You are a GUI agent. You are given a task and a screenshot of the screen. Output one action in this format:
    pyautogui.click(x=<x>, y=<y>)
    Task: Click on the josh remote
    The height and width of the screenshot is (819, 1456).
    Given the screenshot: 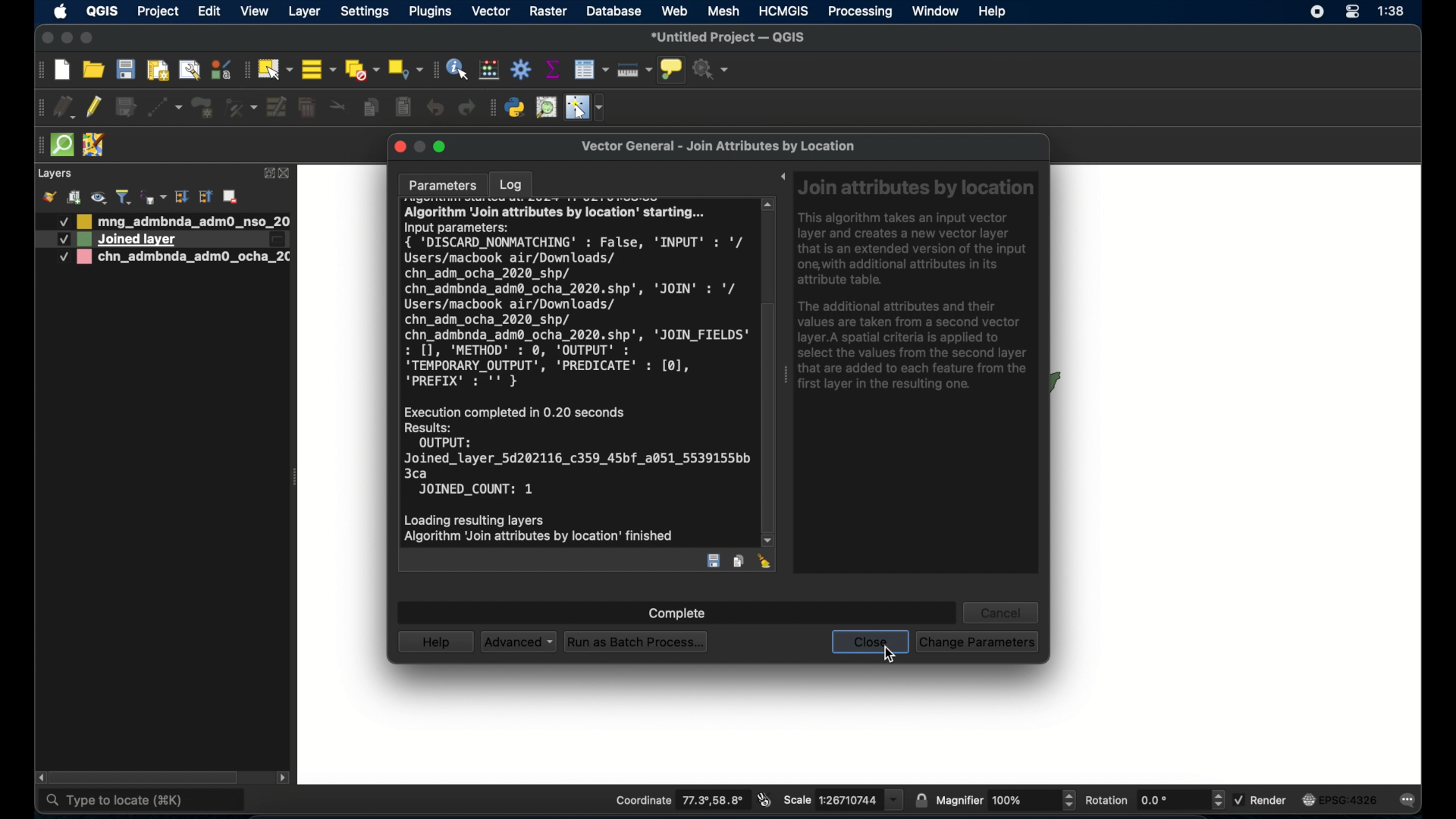 What is the action you would take?
    pyautogui.click(x=95, y=146)
    